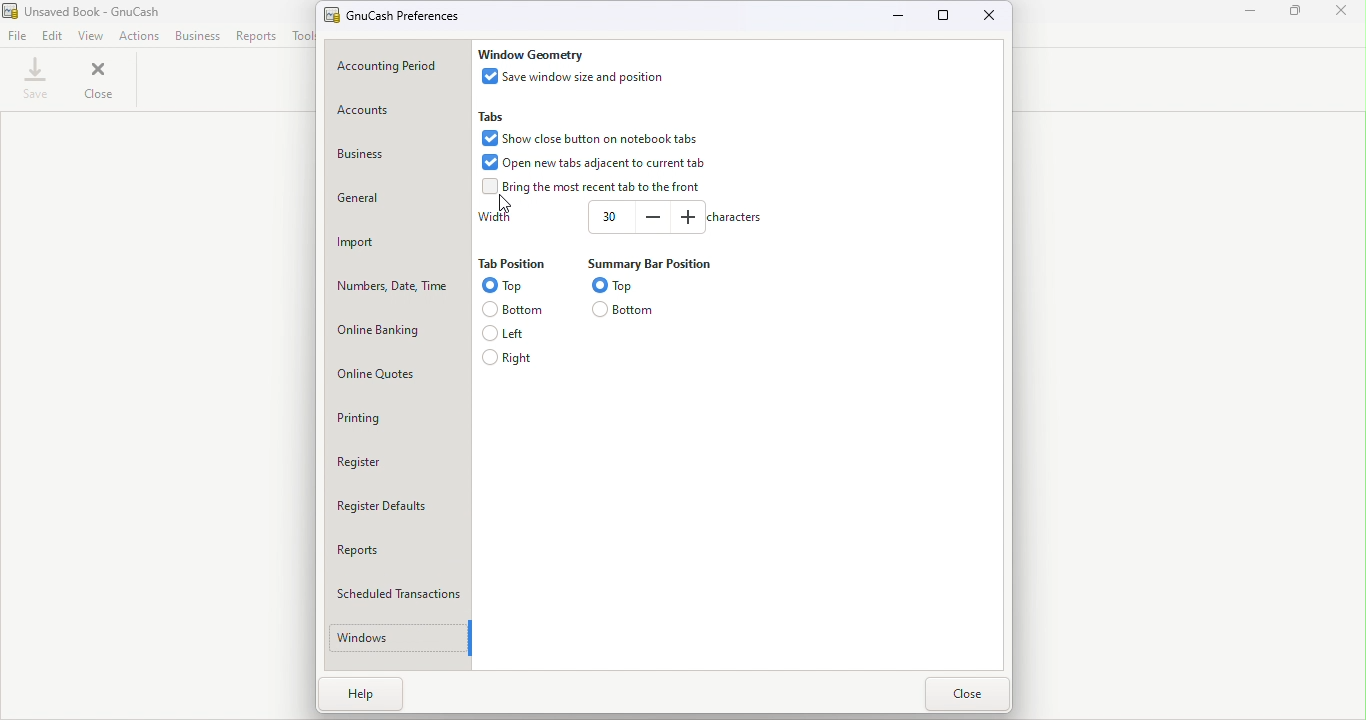 Image resolution: width=1366 pixels, height=720 pixels. I want to click on Numbers, Date, Time, so click(397, 283).